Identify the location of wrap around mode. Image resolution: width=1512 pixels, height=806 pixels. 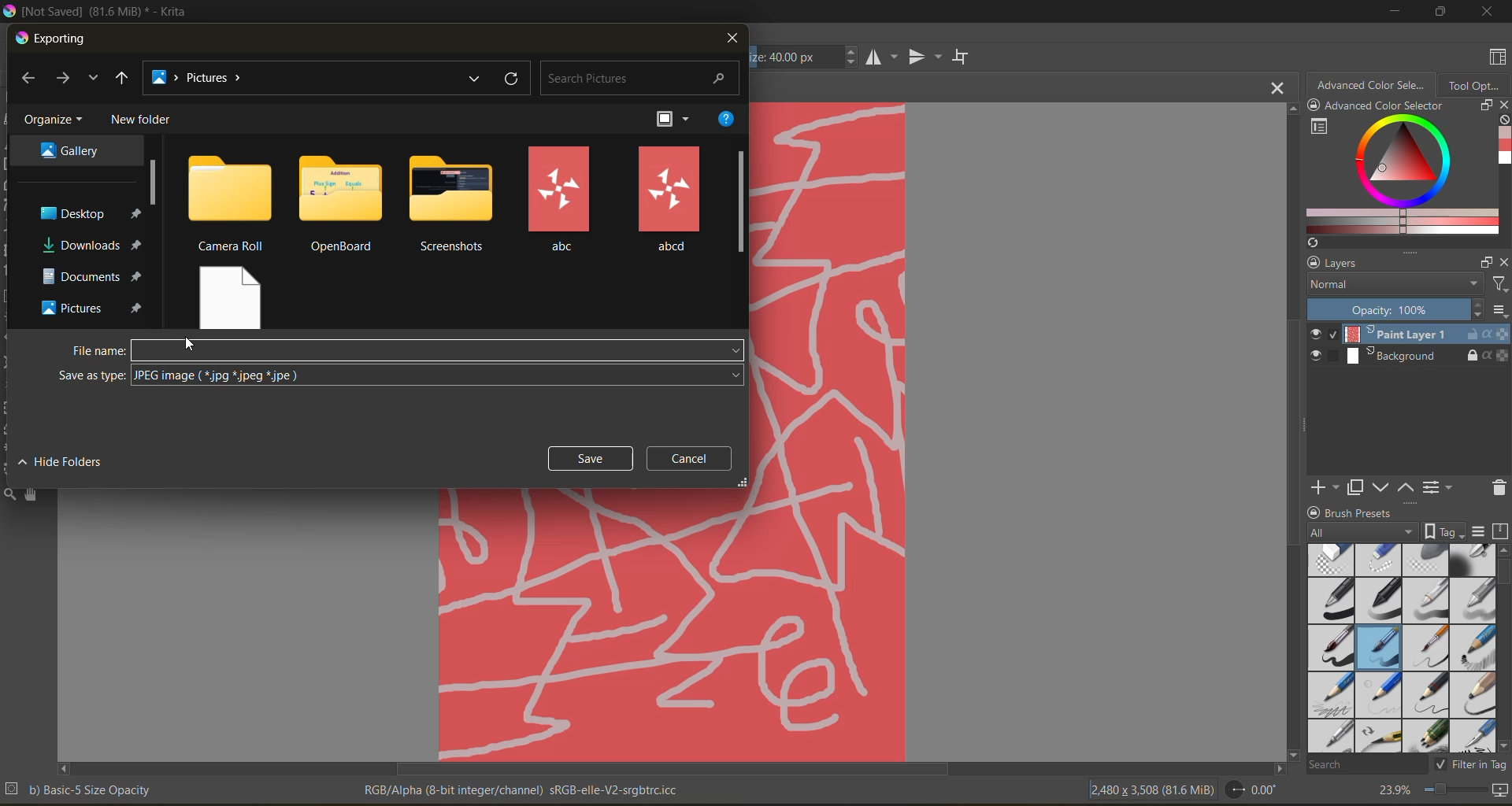
(965, 57).